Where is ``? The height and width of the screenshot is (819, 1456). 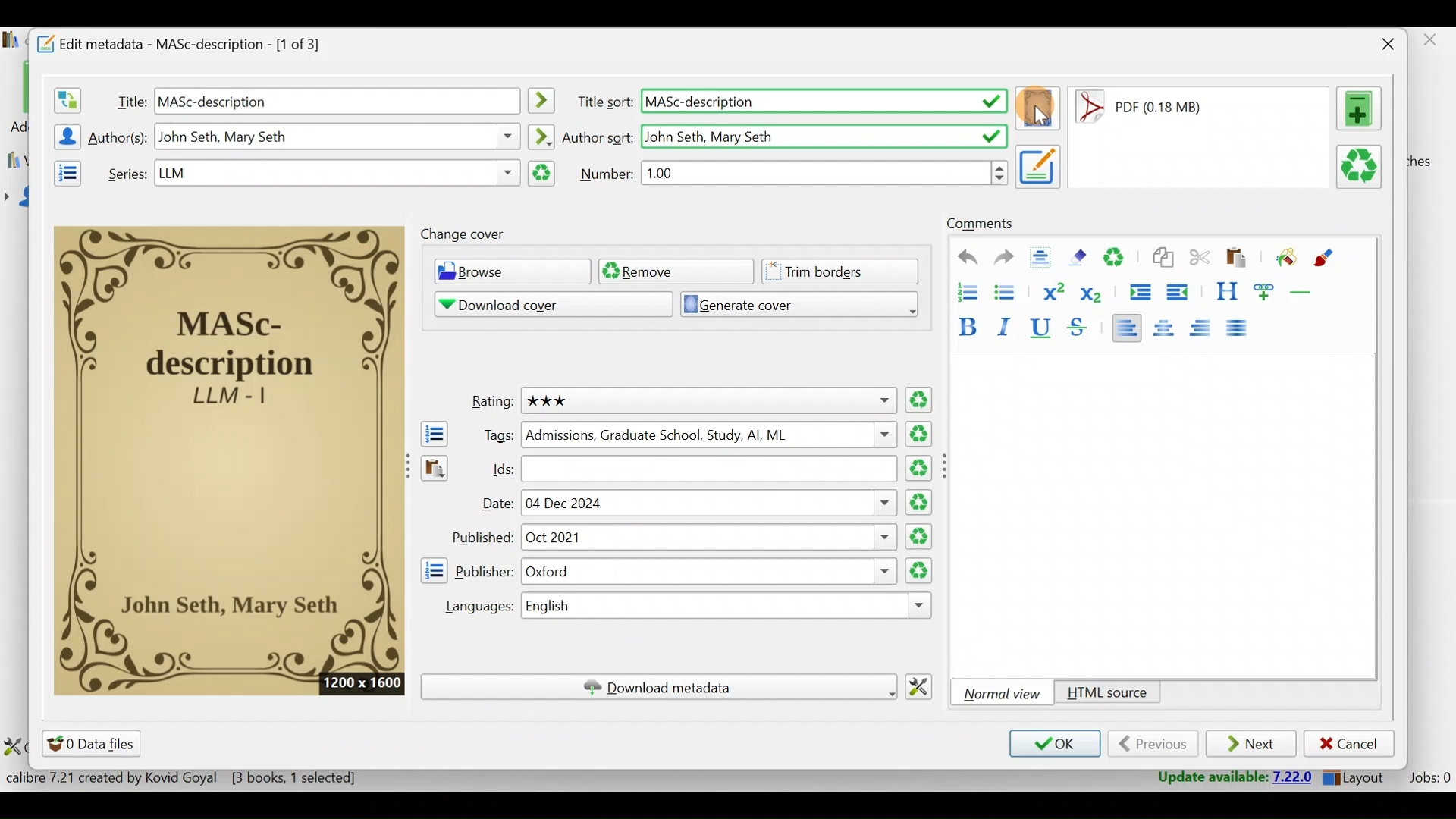
 is located at coordinates (824, 102).